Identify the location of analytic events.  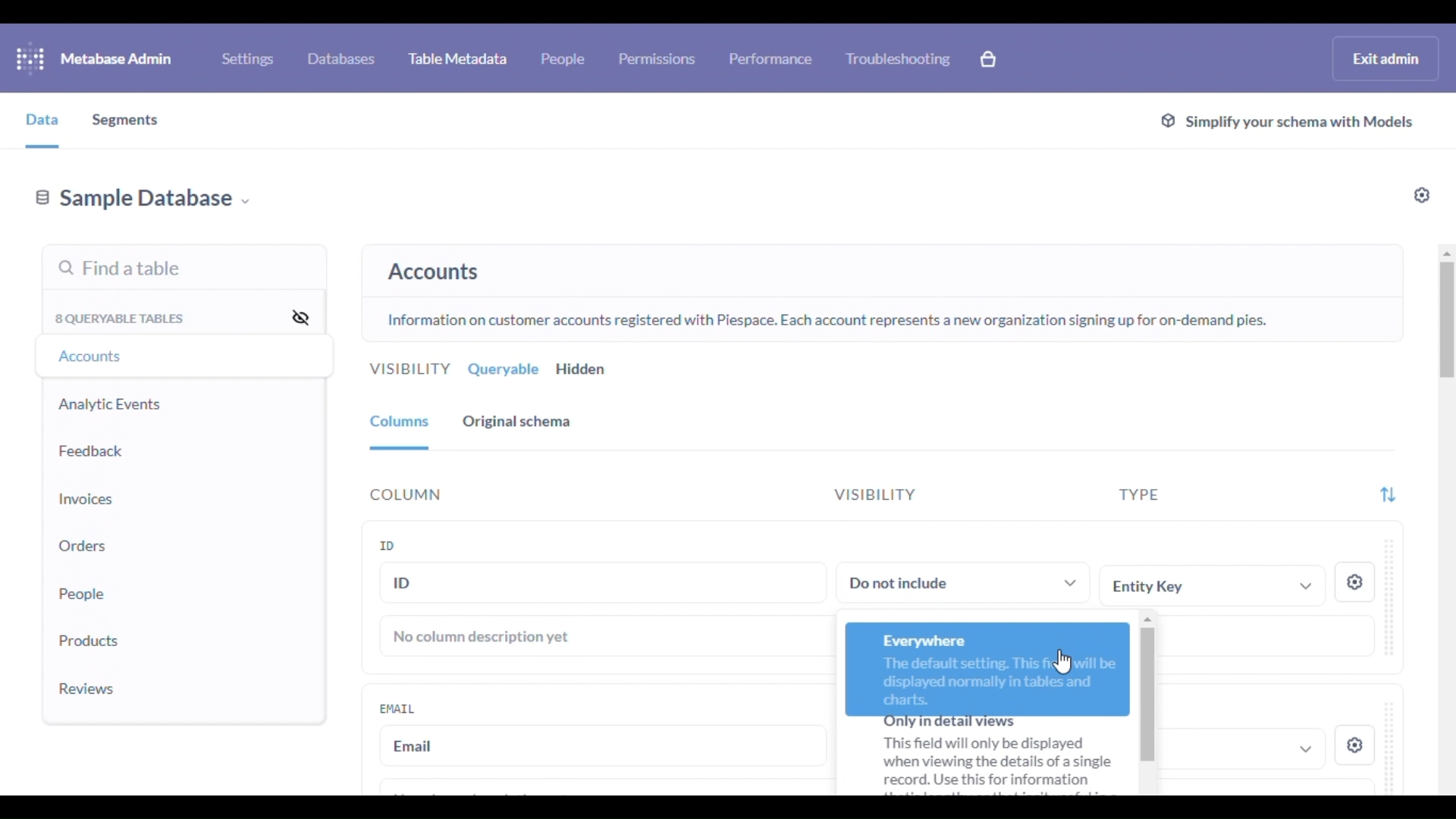
(110, 404).